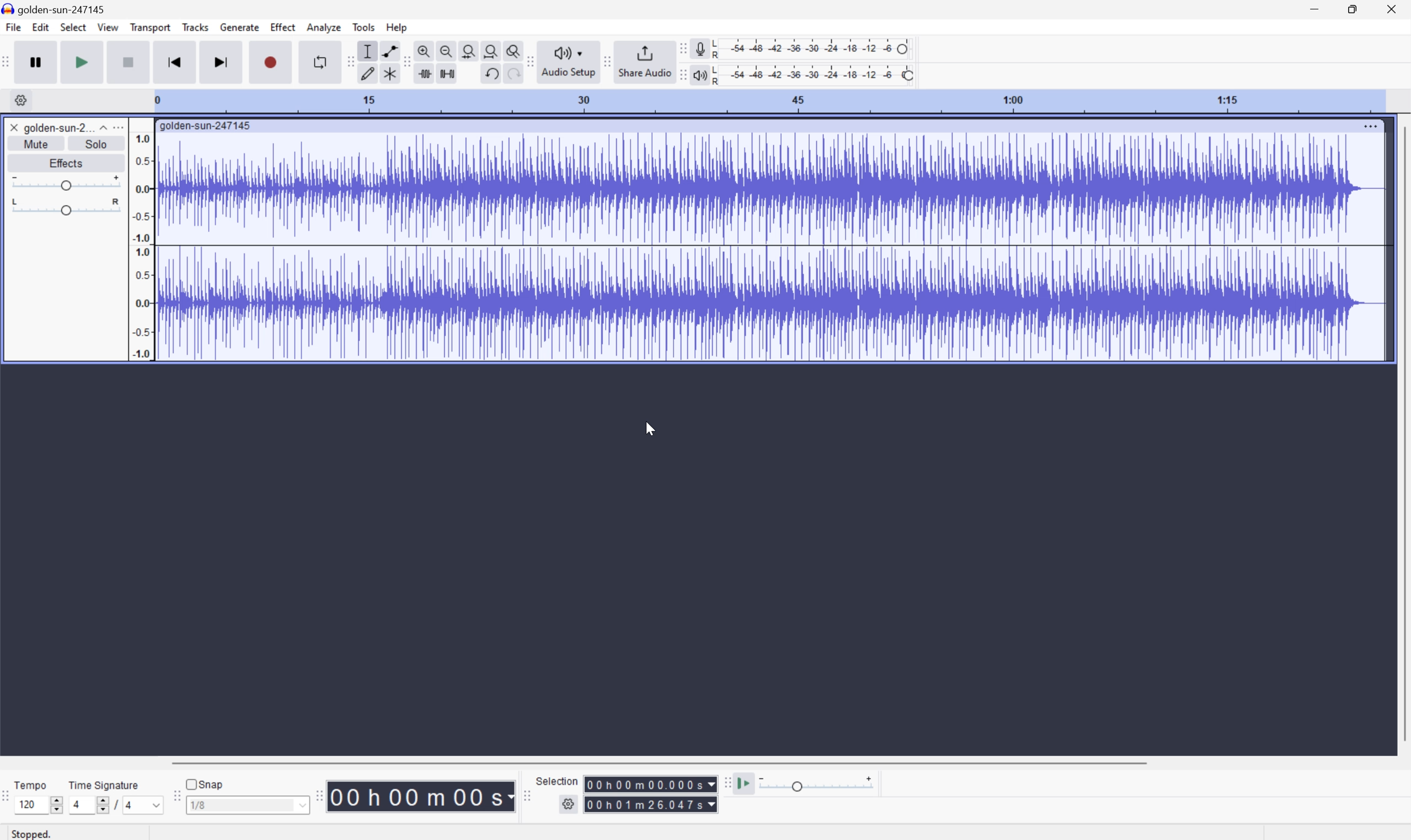 Image resolution: width=1411 pixels, height=840 pixels. Describe the element at coordinates (65, 161) in the screenshot. I see `Effects` at that location.